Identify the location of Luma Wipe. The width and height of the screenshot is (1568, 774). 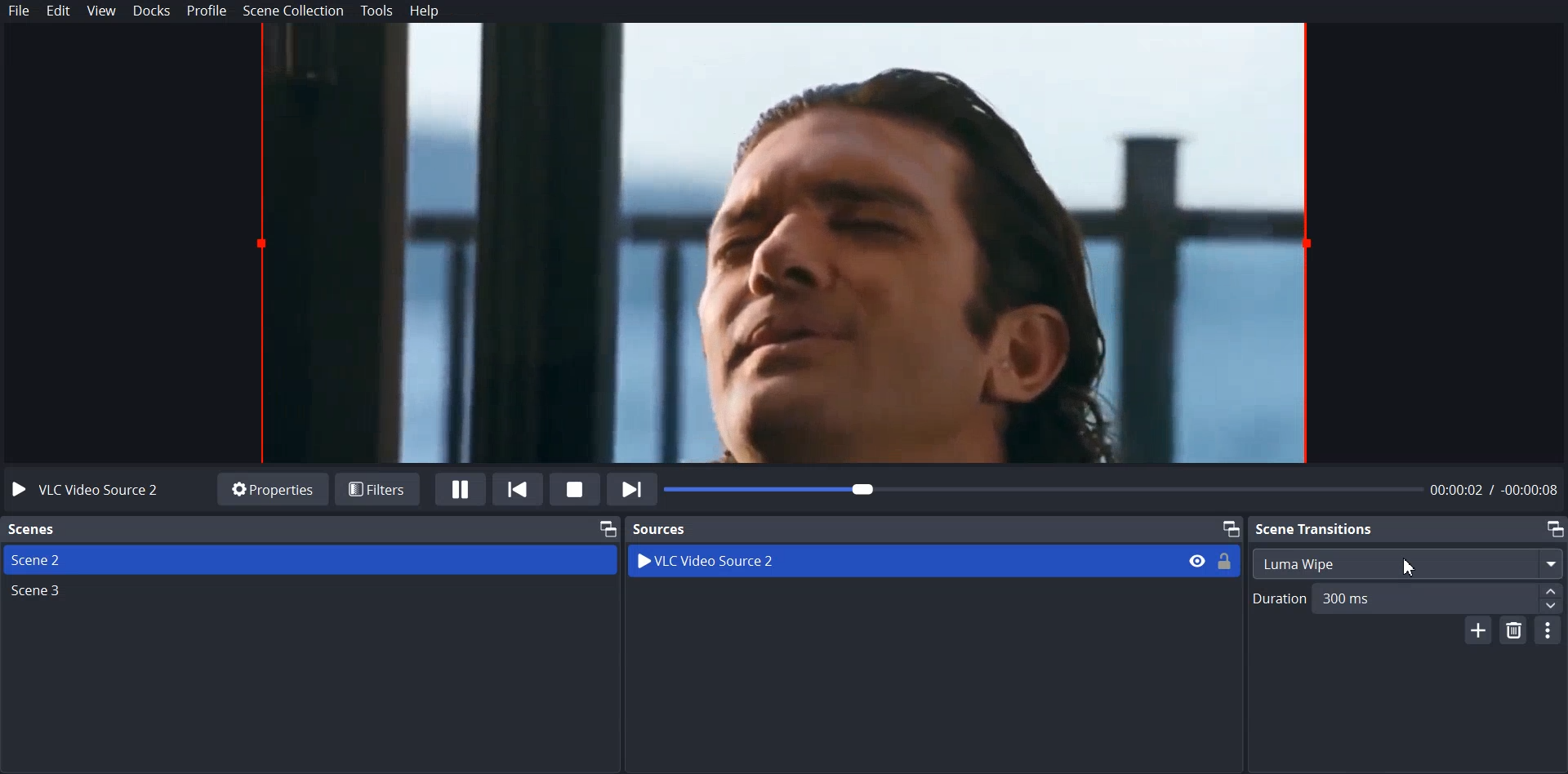
(1407, 563).